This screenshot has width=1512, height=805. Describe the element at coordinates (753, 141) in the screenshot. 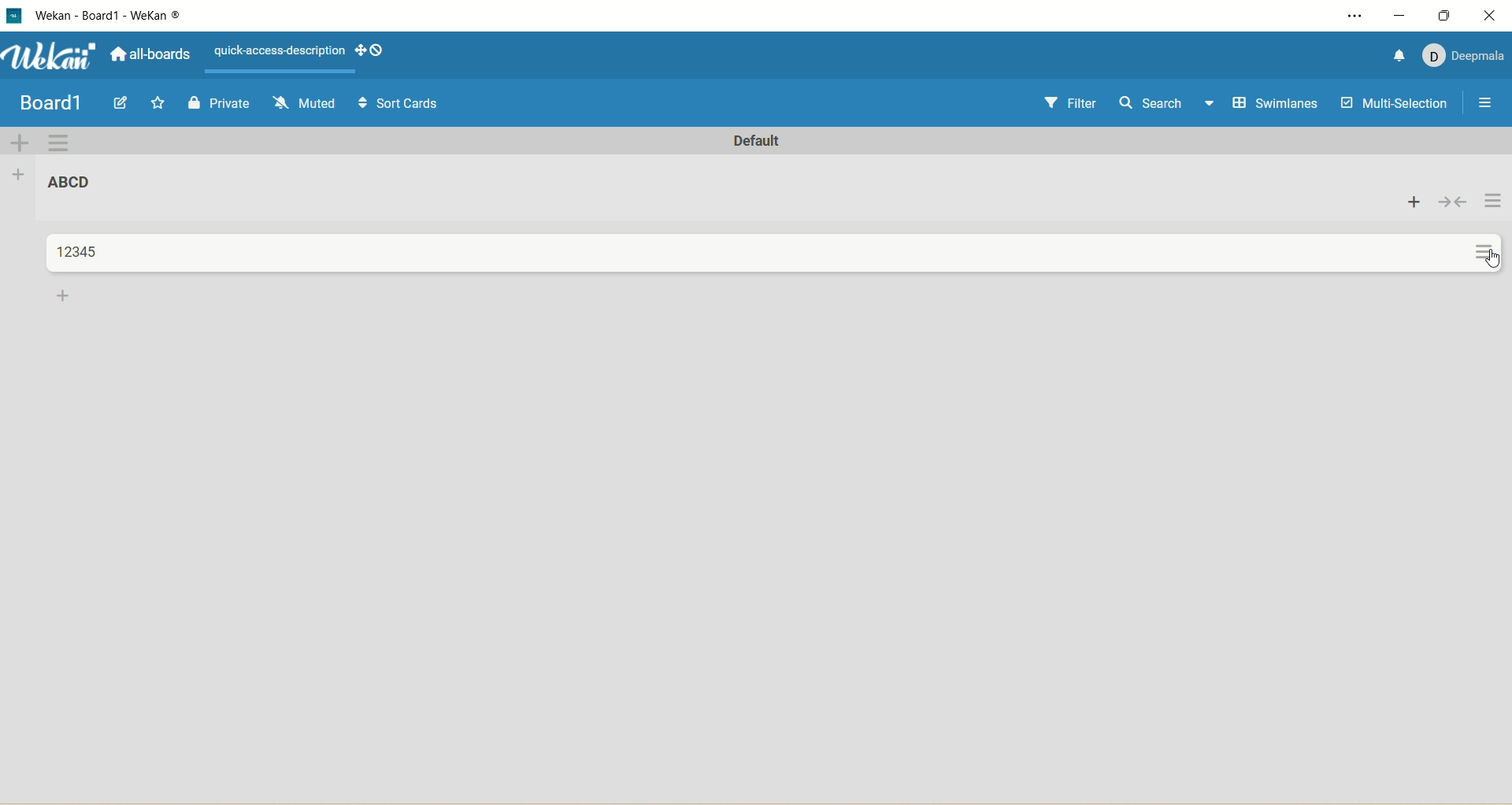

I see `default` at that location.